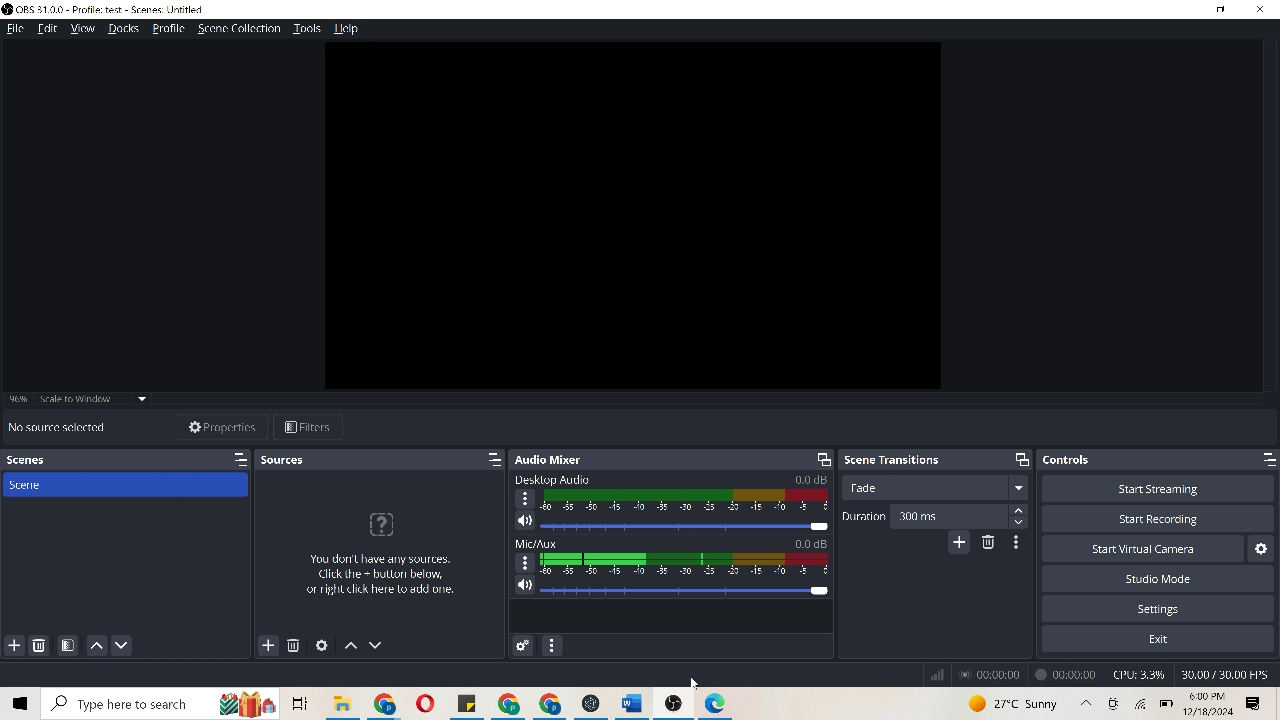  Describe the element at coordinates (1260, 10) in the screenshot. I see `close` at that location.